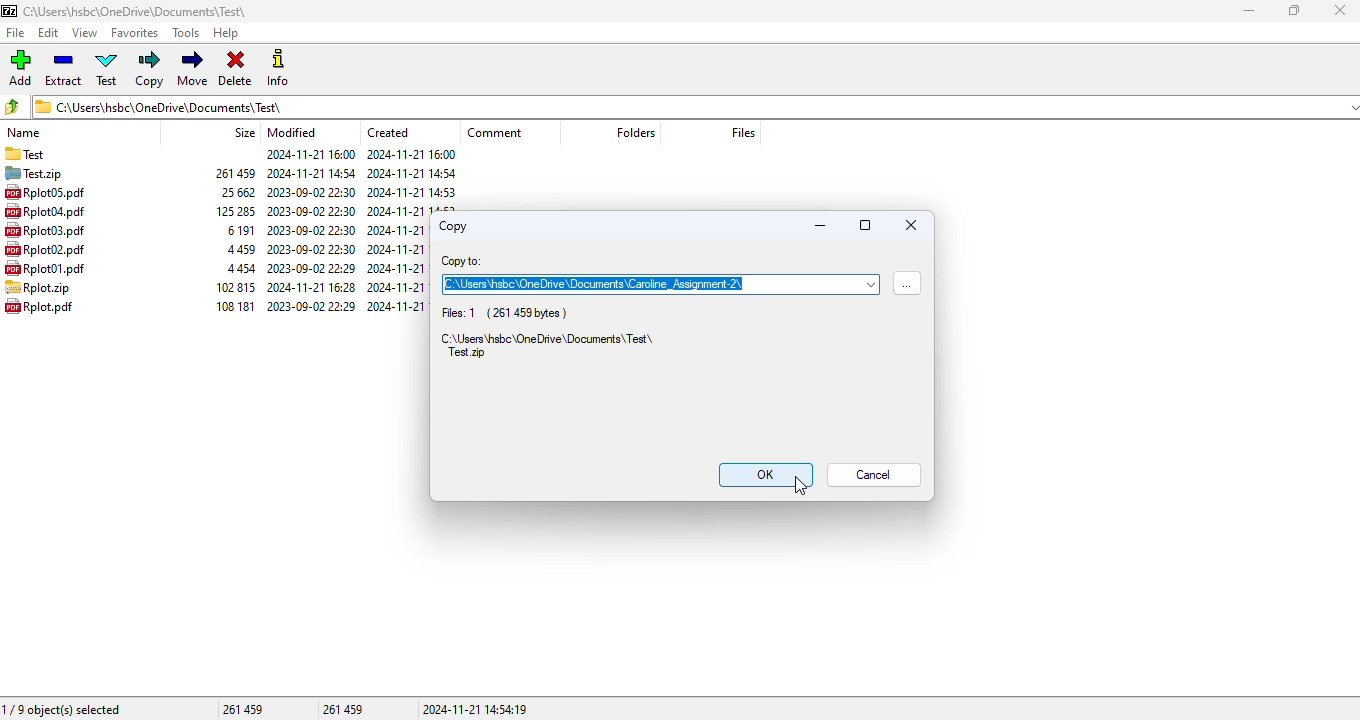 The height and width of the screenshot is (720, 1360). Describe the element at coordinates (495, 133) in the screenshot. I see `comment` at that location.